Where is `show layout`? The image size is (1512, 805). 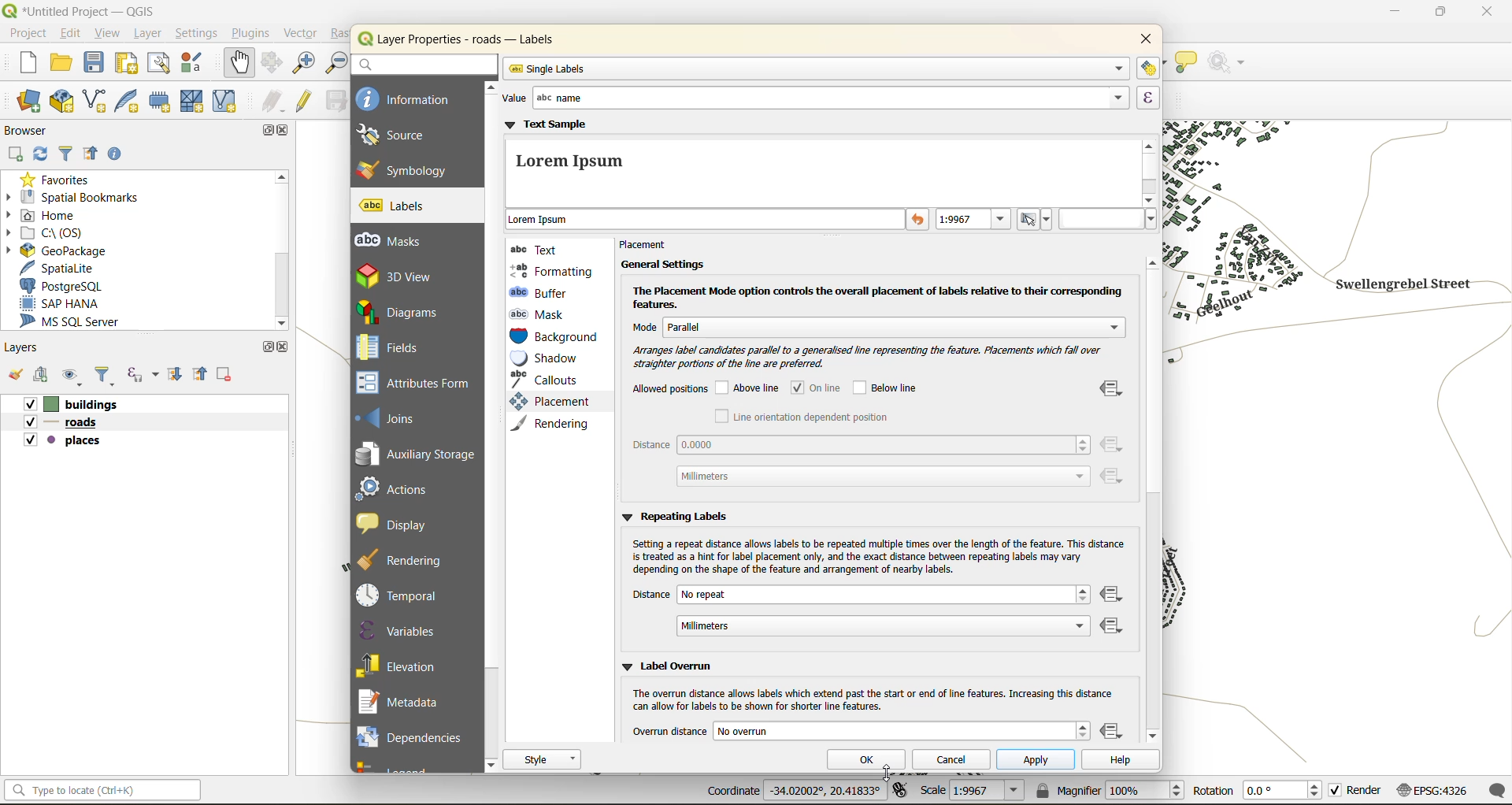
show layout is located at coordinates (157, 63).